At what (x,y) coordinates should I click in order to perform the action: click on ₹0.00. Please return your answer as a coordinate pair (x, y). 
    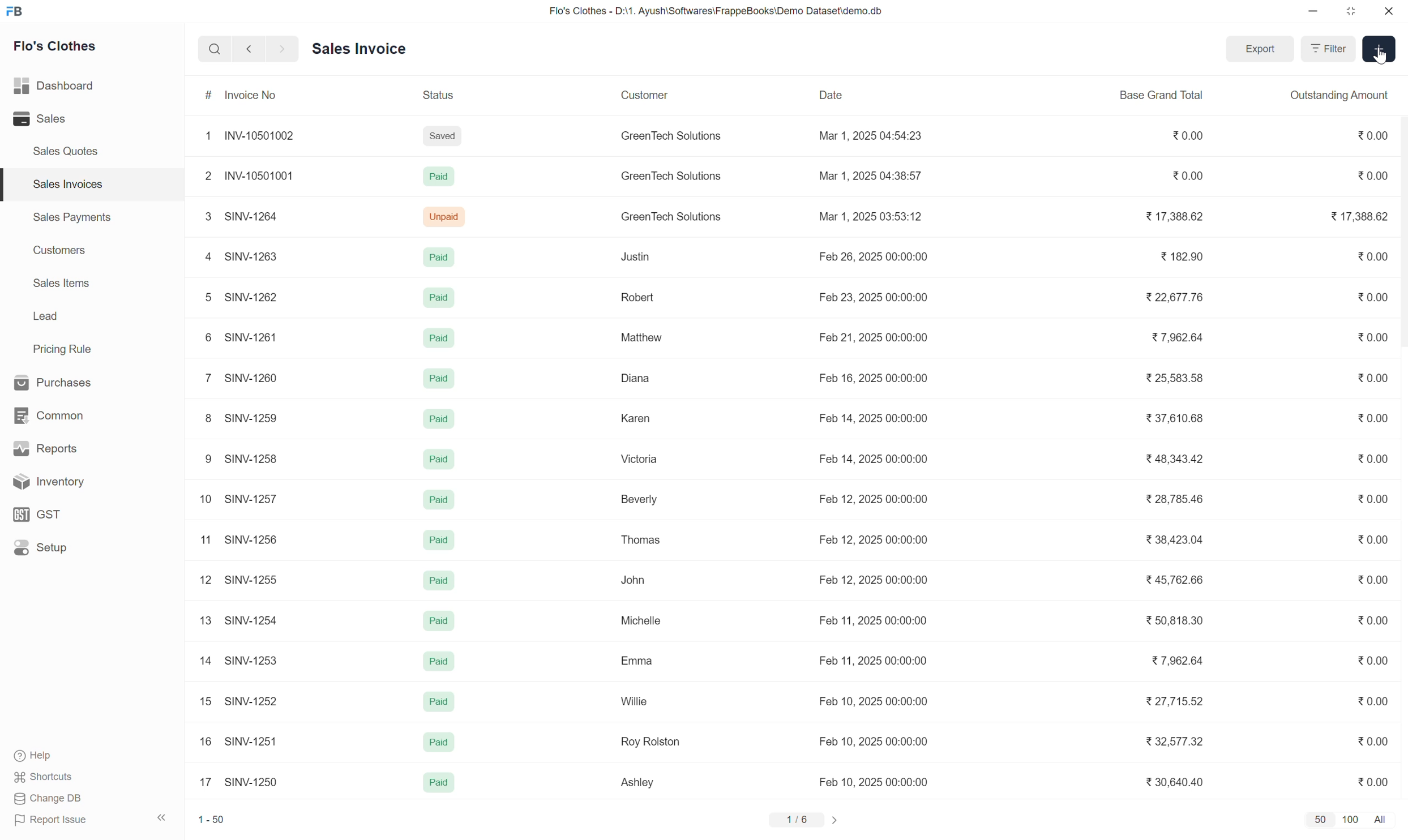
    Looking at the image, I should click on (1370, 622).